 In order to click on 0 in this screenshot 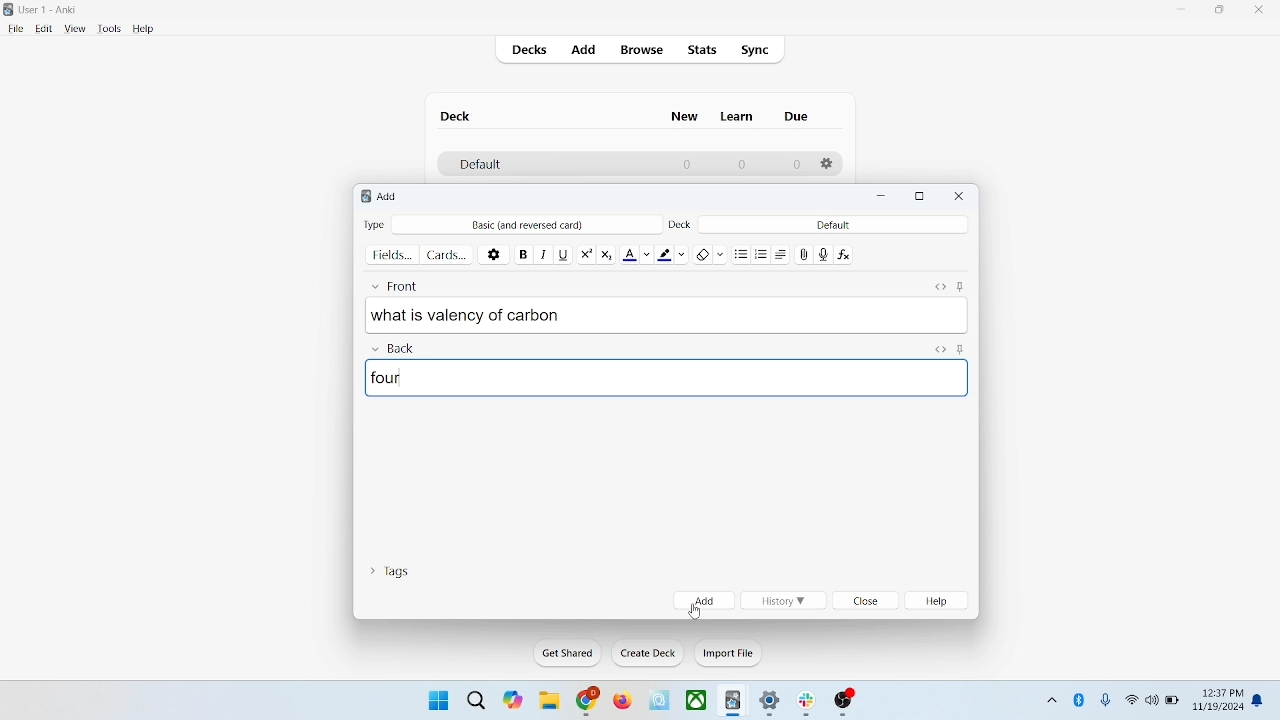, I will do `click(796, 165)`.